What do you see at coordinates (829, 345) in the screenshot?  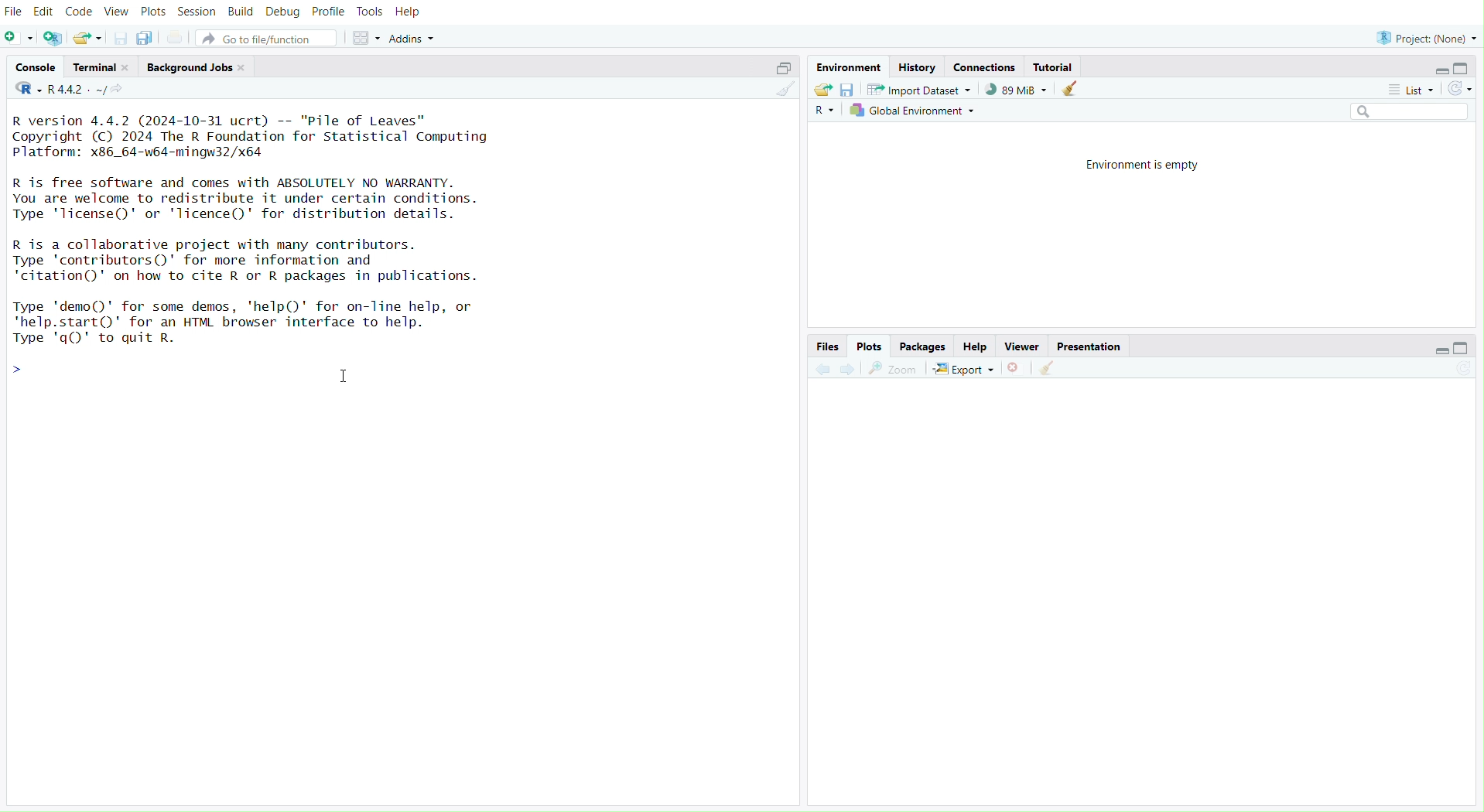 I see `Files` at bounding box center [829, 345].